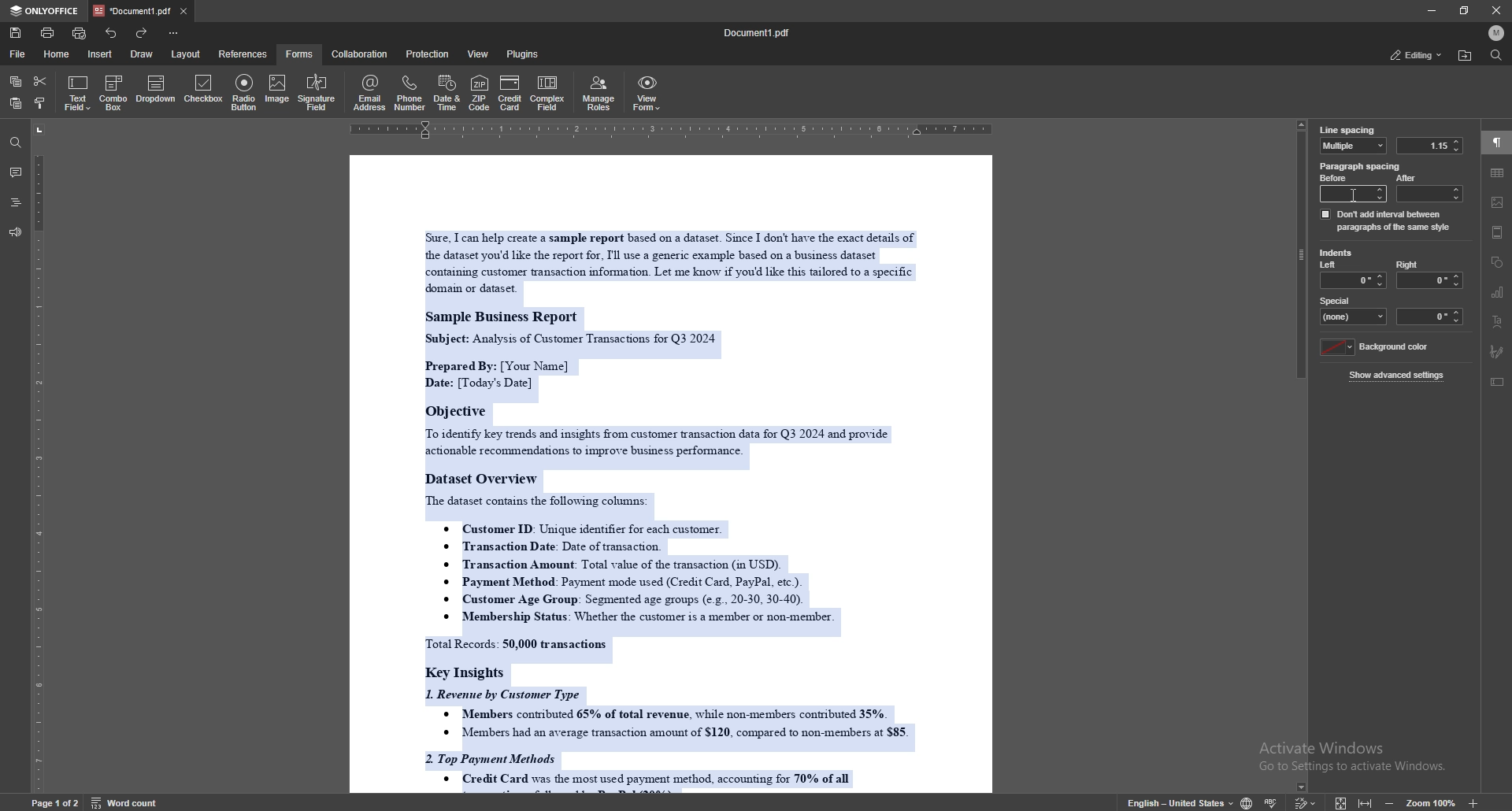 The image size is (1512, 811). Describe the element at coordinates (55, 802) in the screenshot. I see `page` at that location.